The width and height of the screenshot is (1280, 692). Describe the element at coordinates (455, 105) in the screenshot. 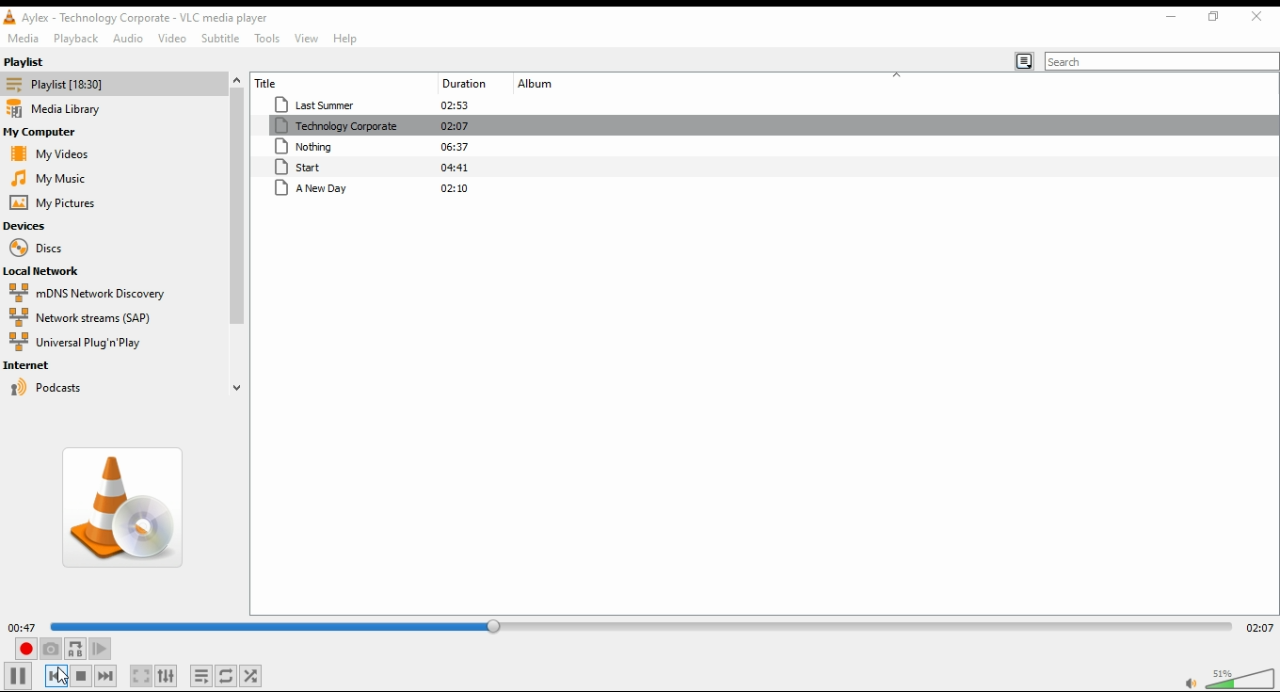

I see `02:53` at that location.